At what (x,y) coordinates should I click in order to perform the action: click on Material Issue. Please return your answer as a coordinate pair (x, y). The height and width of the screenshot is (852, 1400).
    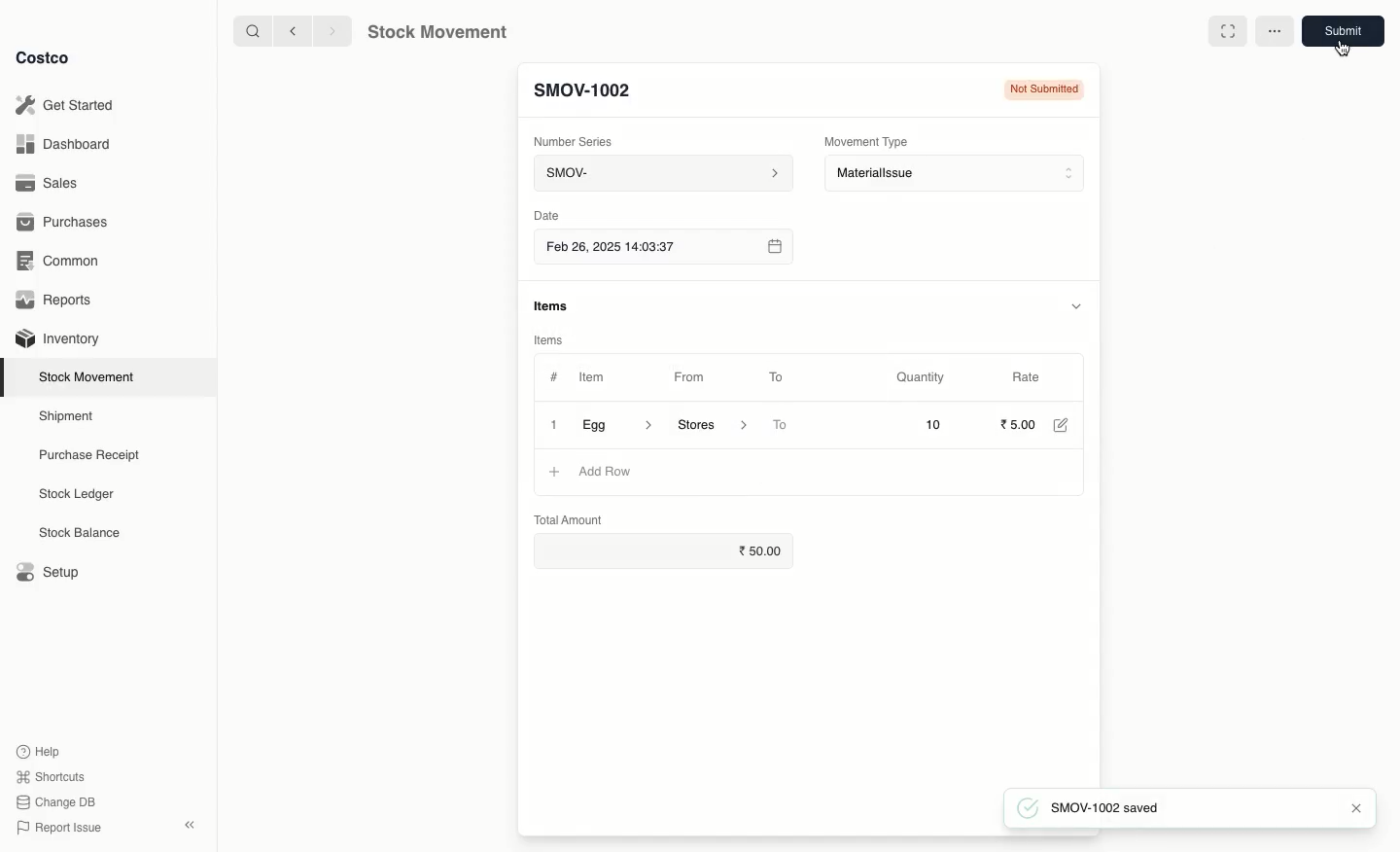
    Looking at the image, I should click on (957, 174).